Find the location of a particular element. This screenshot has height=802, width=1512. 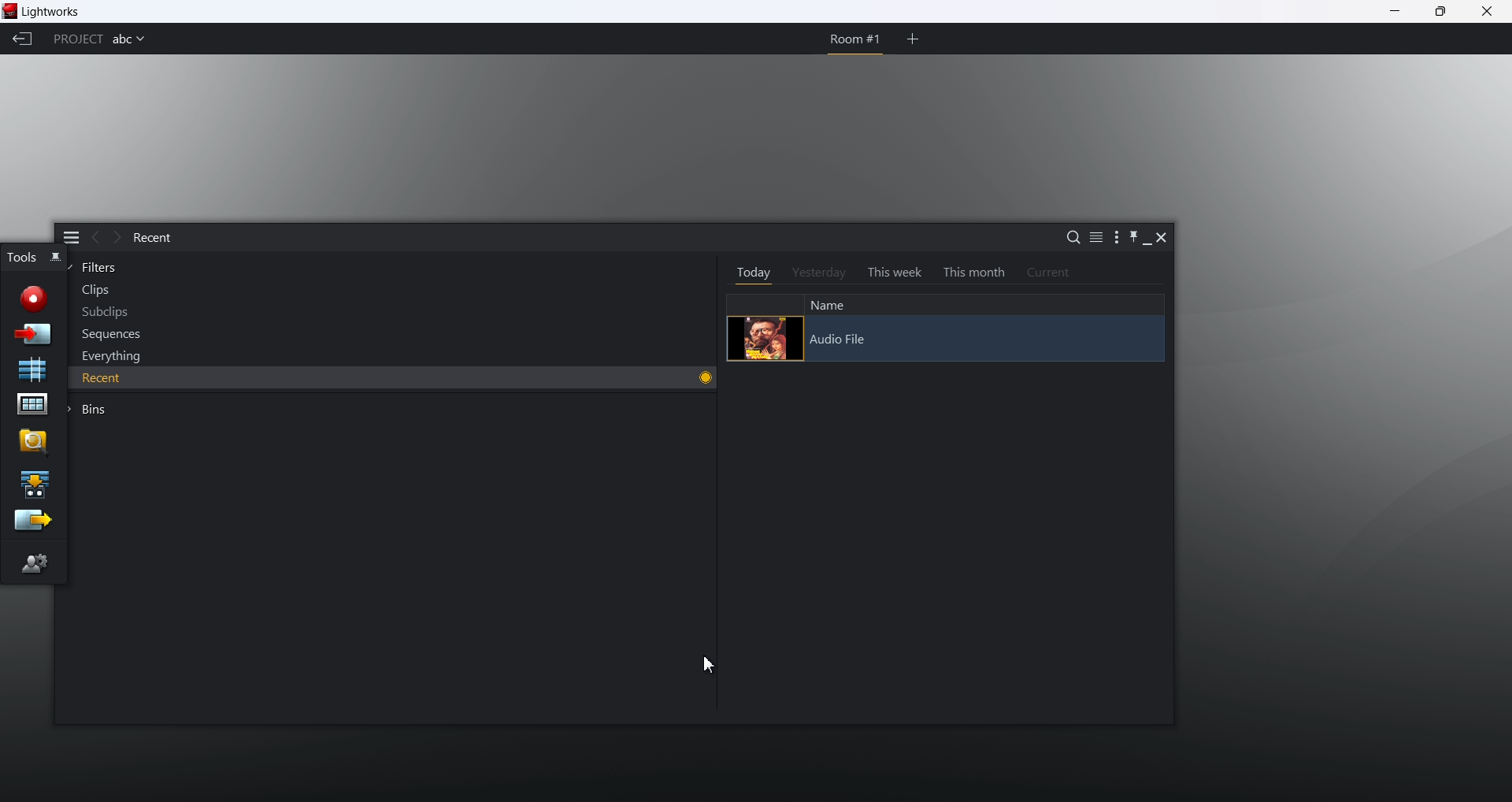

list view is located at coordinates (1090, 239).